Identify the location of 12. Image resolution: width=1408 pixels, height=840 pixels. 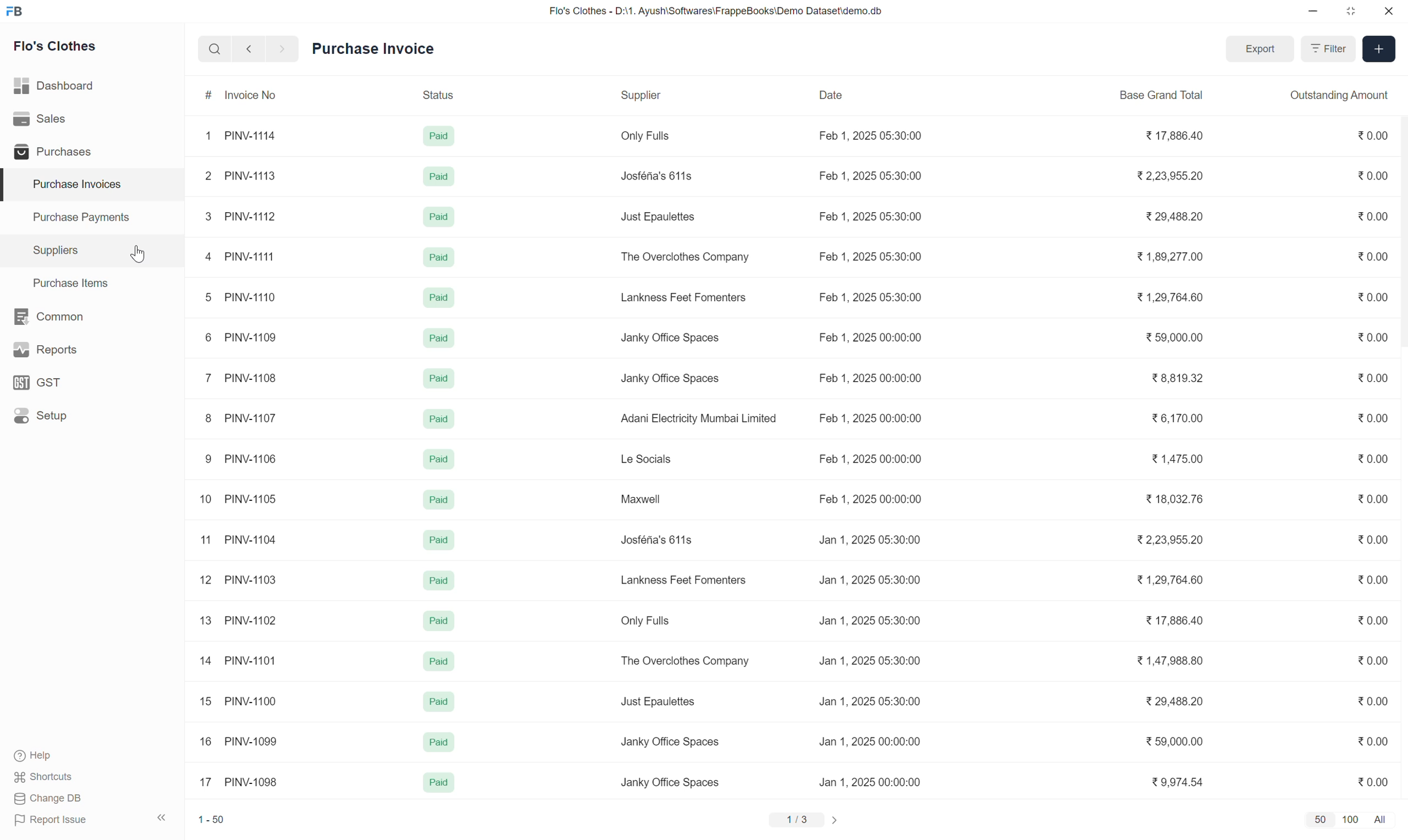
(206, 580).